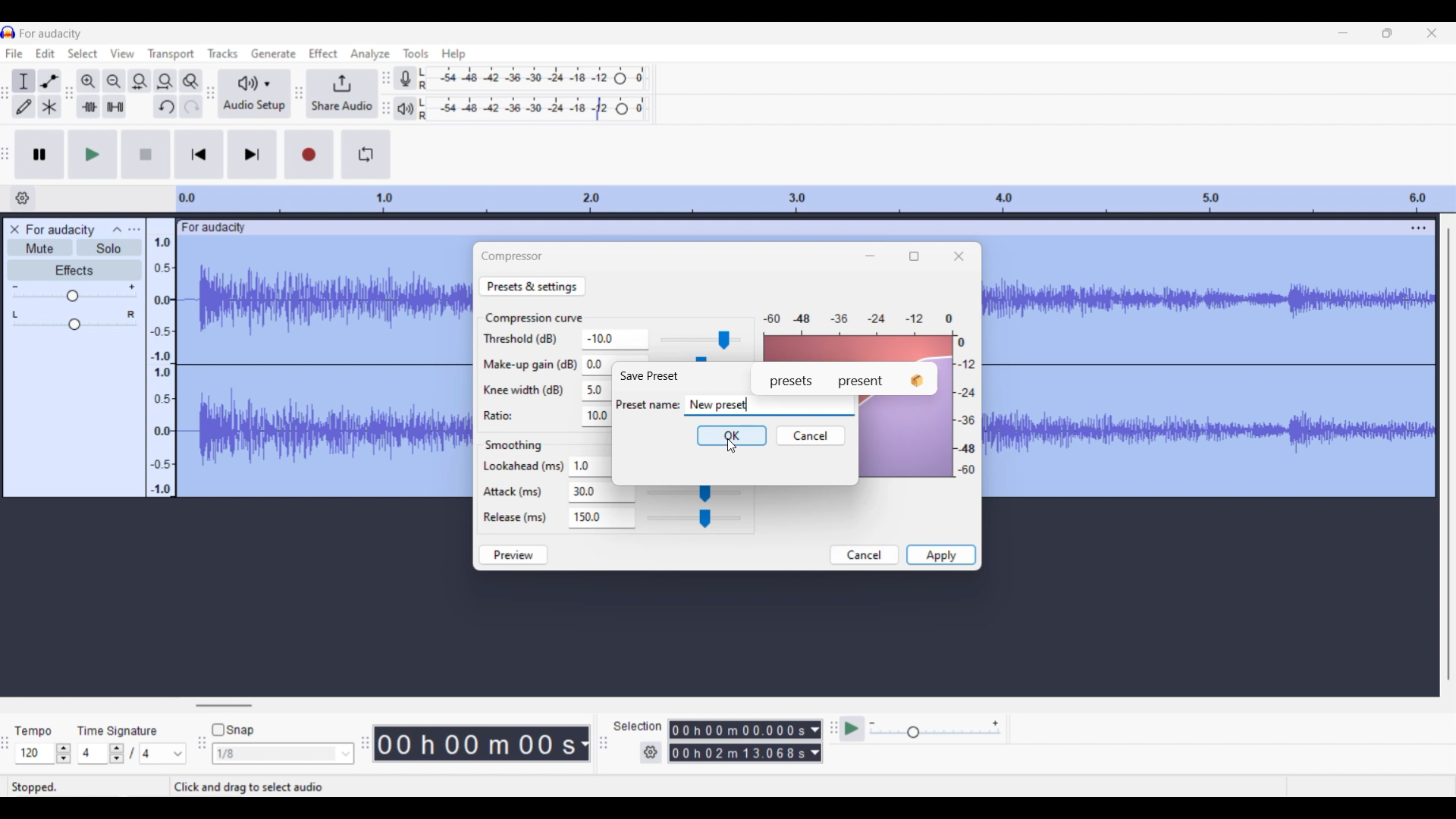 The width and height of the screenshot is (1456, 819). Describe the element at coordinates (871, 335) in the screenshot. I see `Current output ` at that location.